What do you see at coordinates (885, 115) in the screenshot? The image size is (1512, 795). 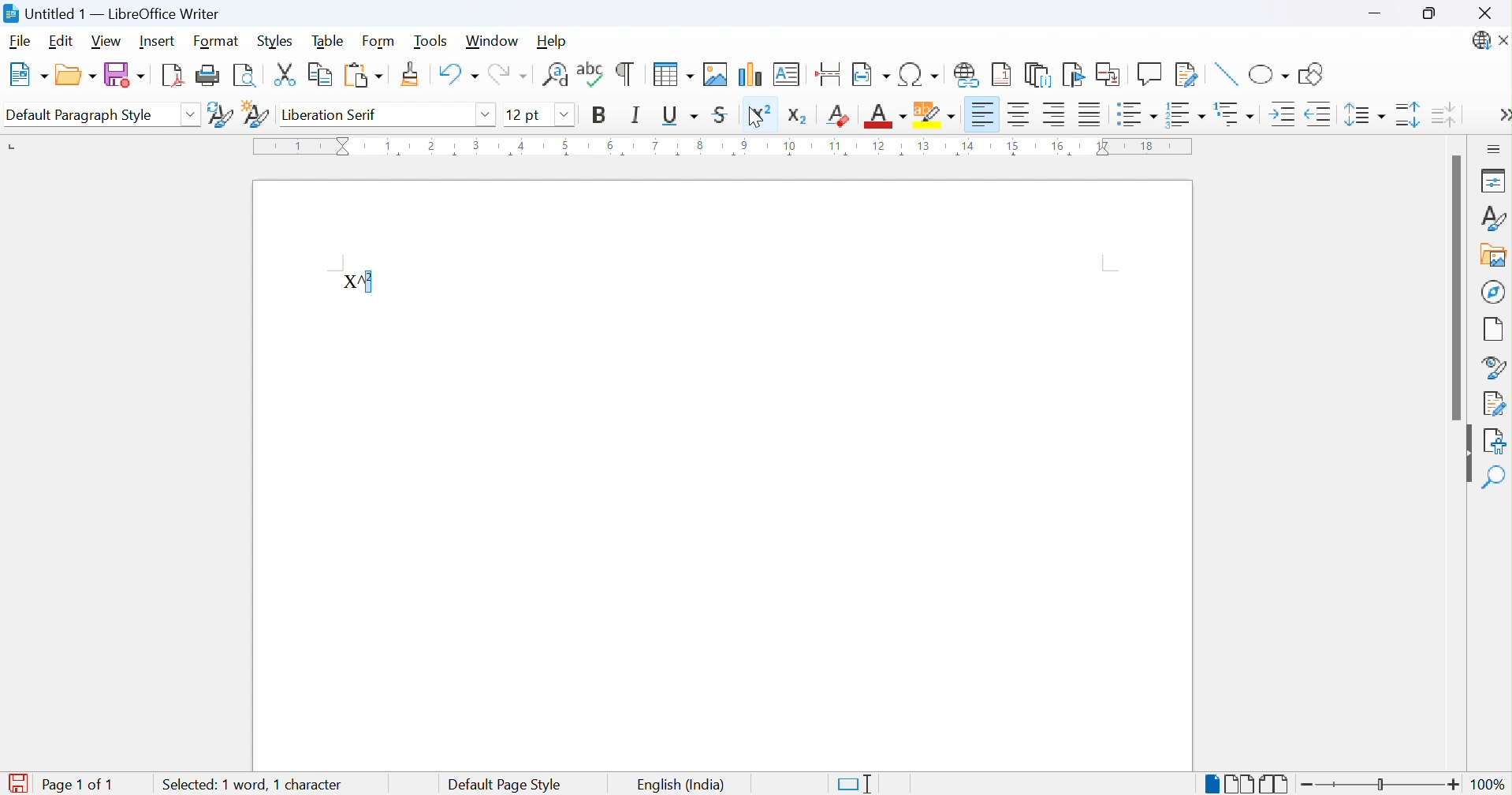 I see `Font color` at bounding box center [885, 115].